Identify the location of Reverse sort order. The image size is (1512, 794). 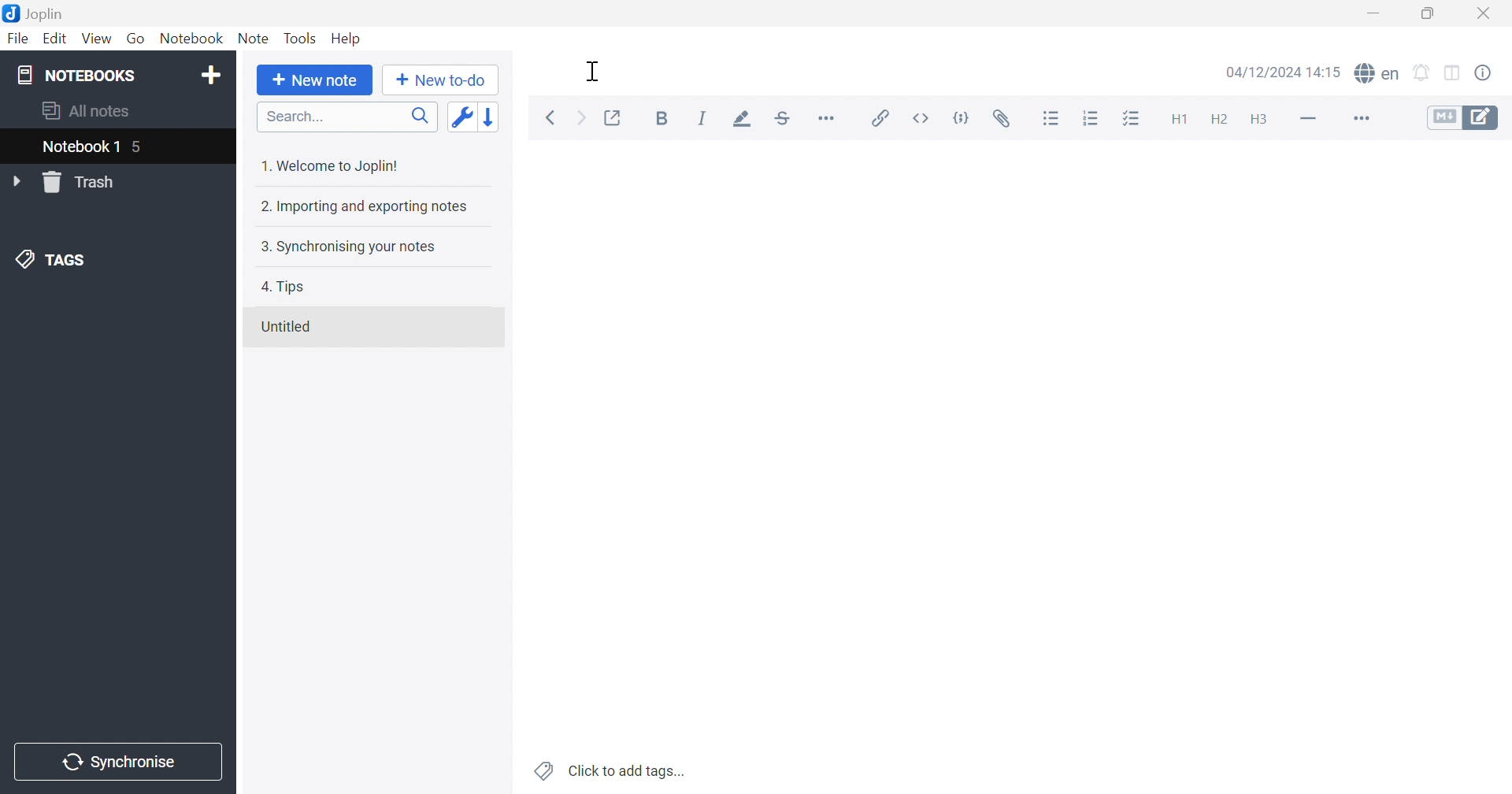
(492, 117).